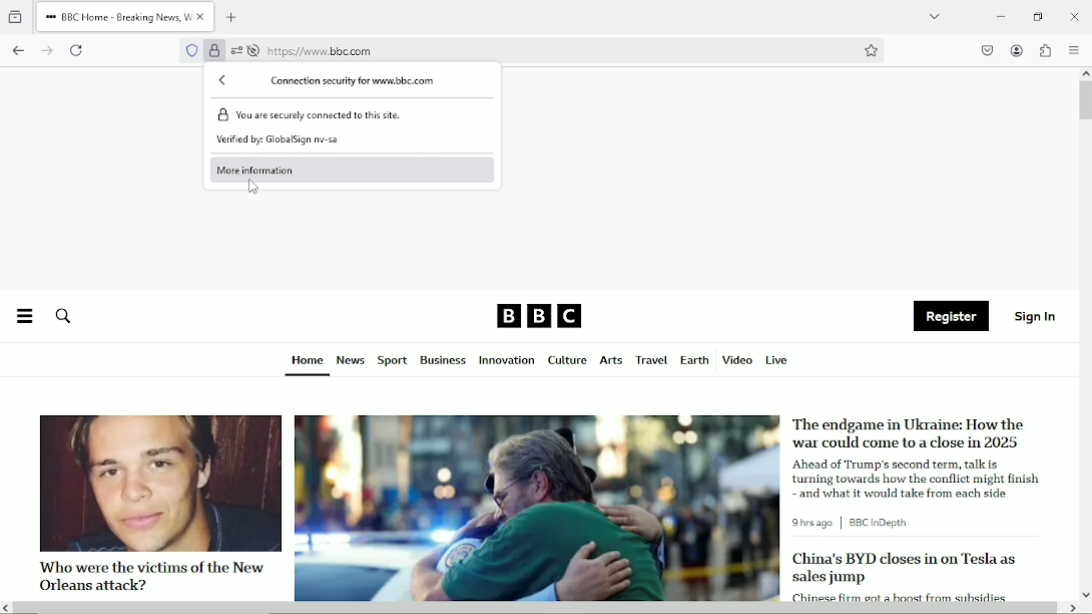 This screenshot has height=614, width=1092. Describe the element at coordinates (899, 595) in the screenshot. I see `Chinese firm got a boost from subsides` at that location.